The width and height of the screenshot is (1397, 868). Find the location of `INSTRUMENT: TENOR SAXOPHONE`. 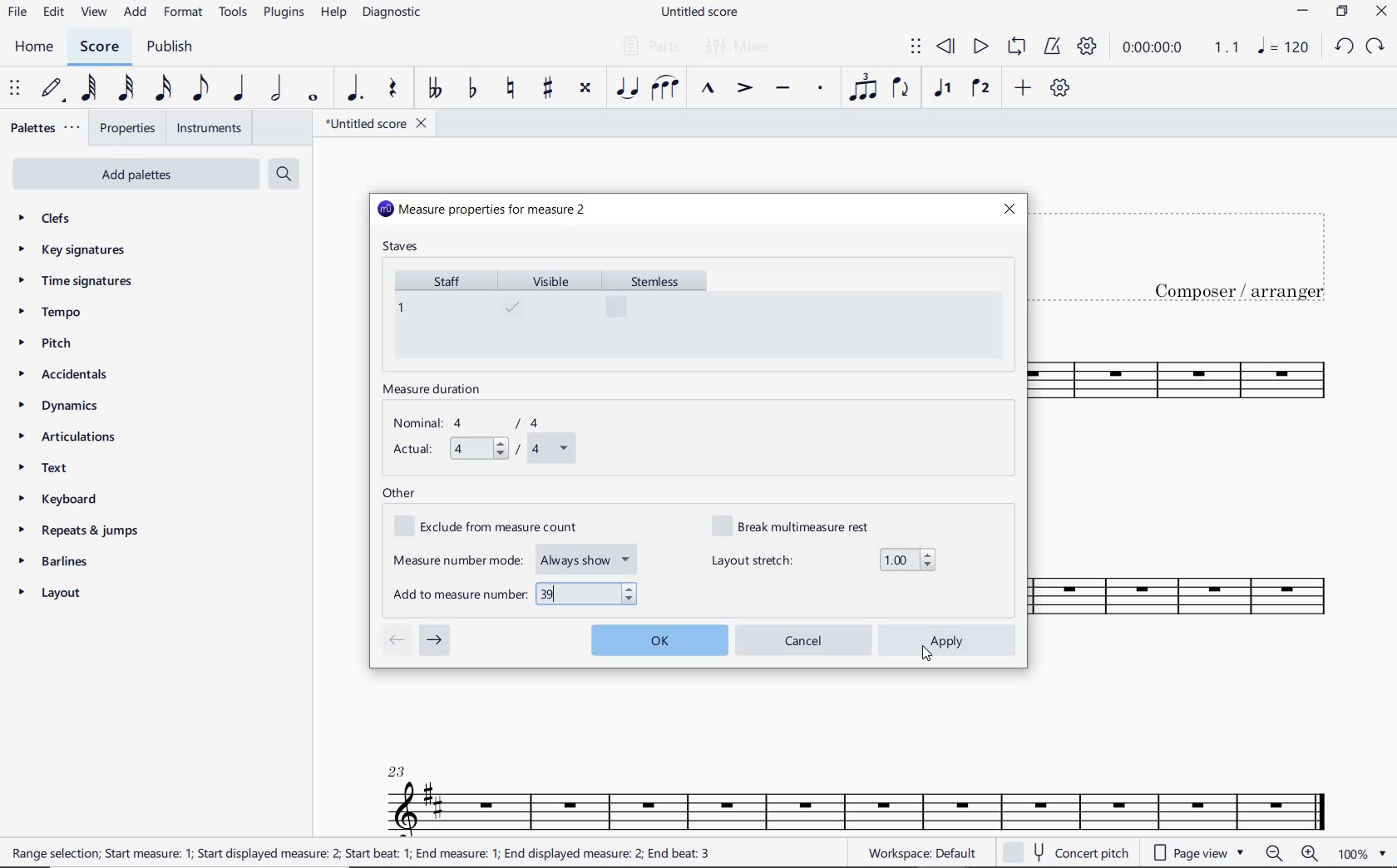

INSTRUMENT: TENOR SAXOPHONE is located at coordinates (1202, 500).